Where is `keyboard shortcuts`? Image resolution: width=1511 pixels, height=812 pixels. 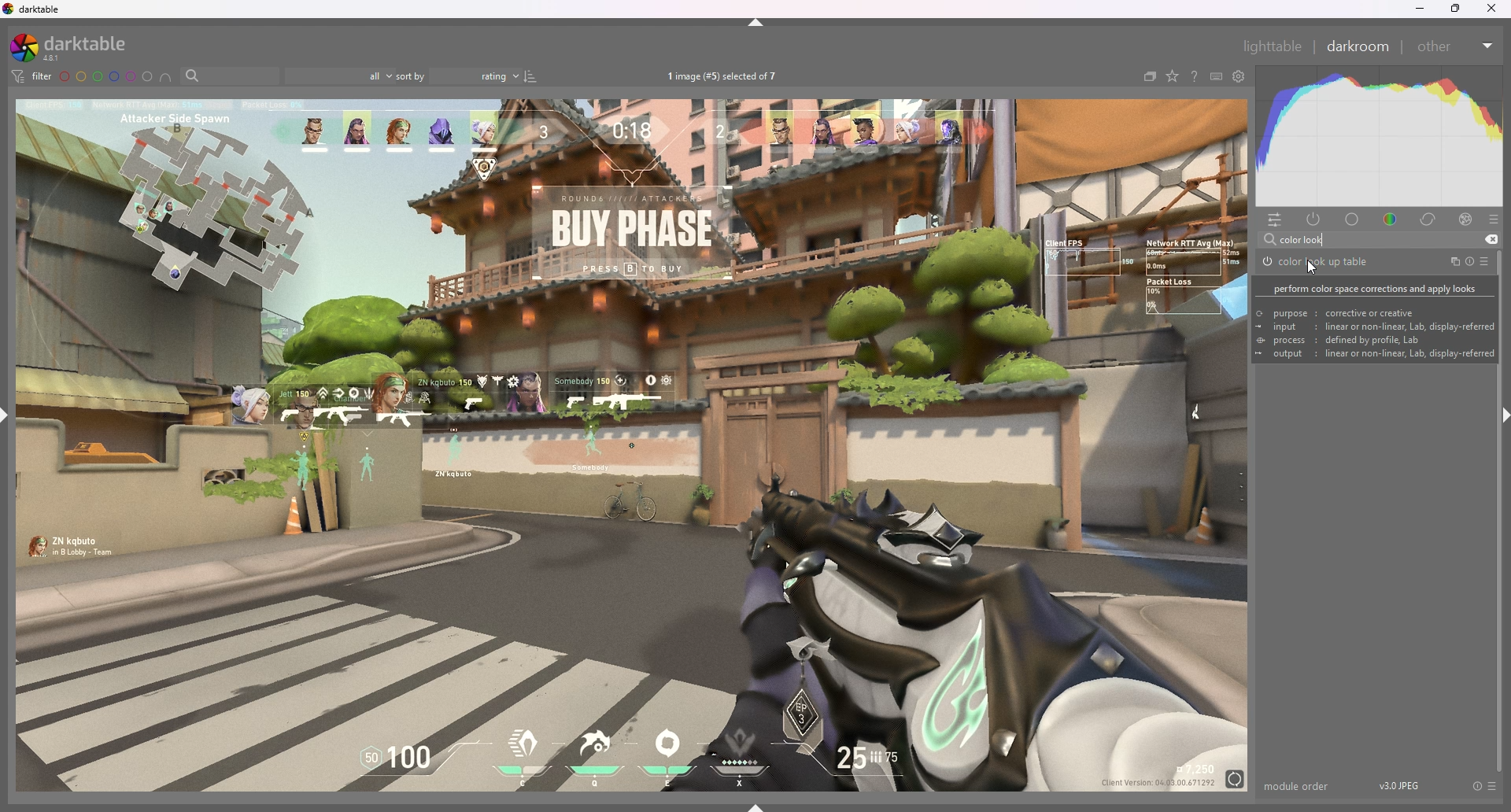
keyboard shortcuts is located at coordinates (1217, 76).